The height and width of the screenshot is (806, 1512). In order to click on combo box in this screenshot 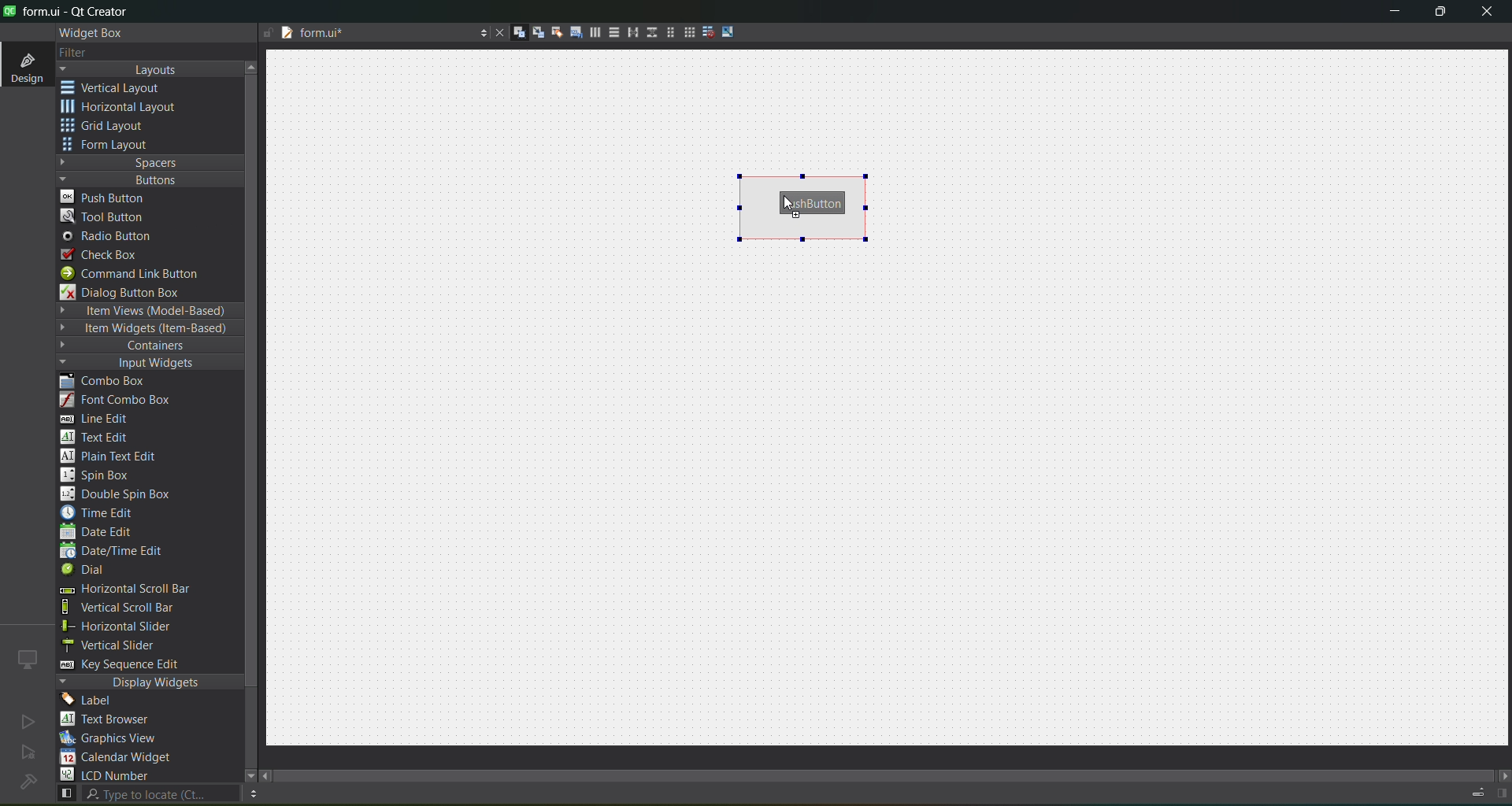, I will do `click(114, 382)`.